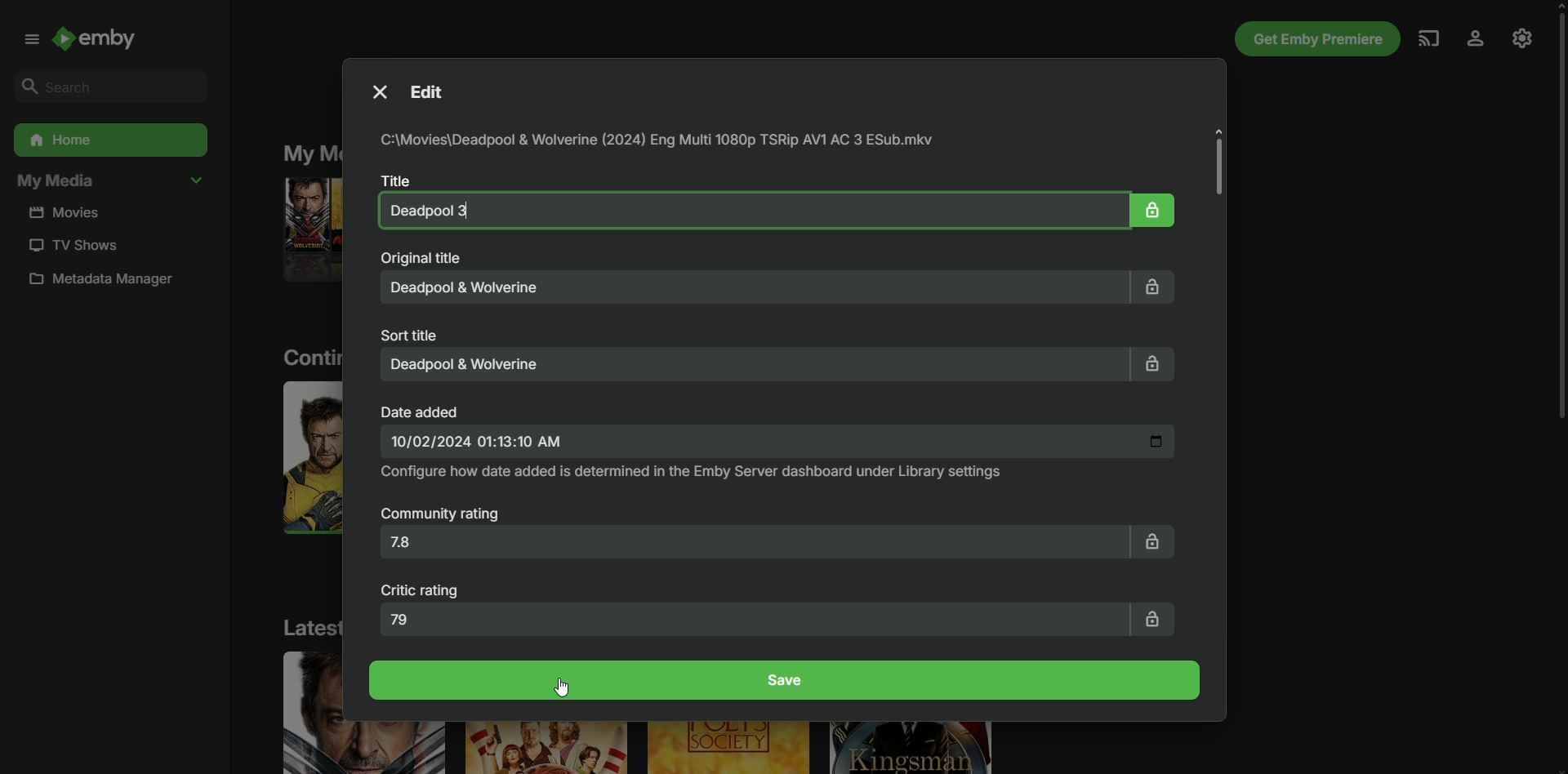 The height and width of the screenshot is (774, 1568). I want to click on 7.8, so click(751, 546).